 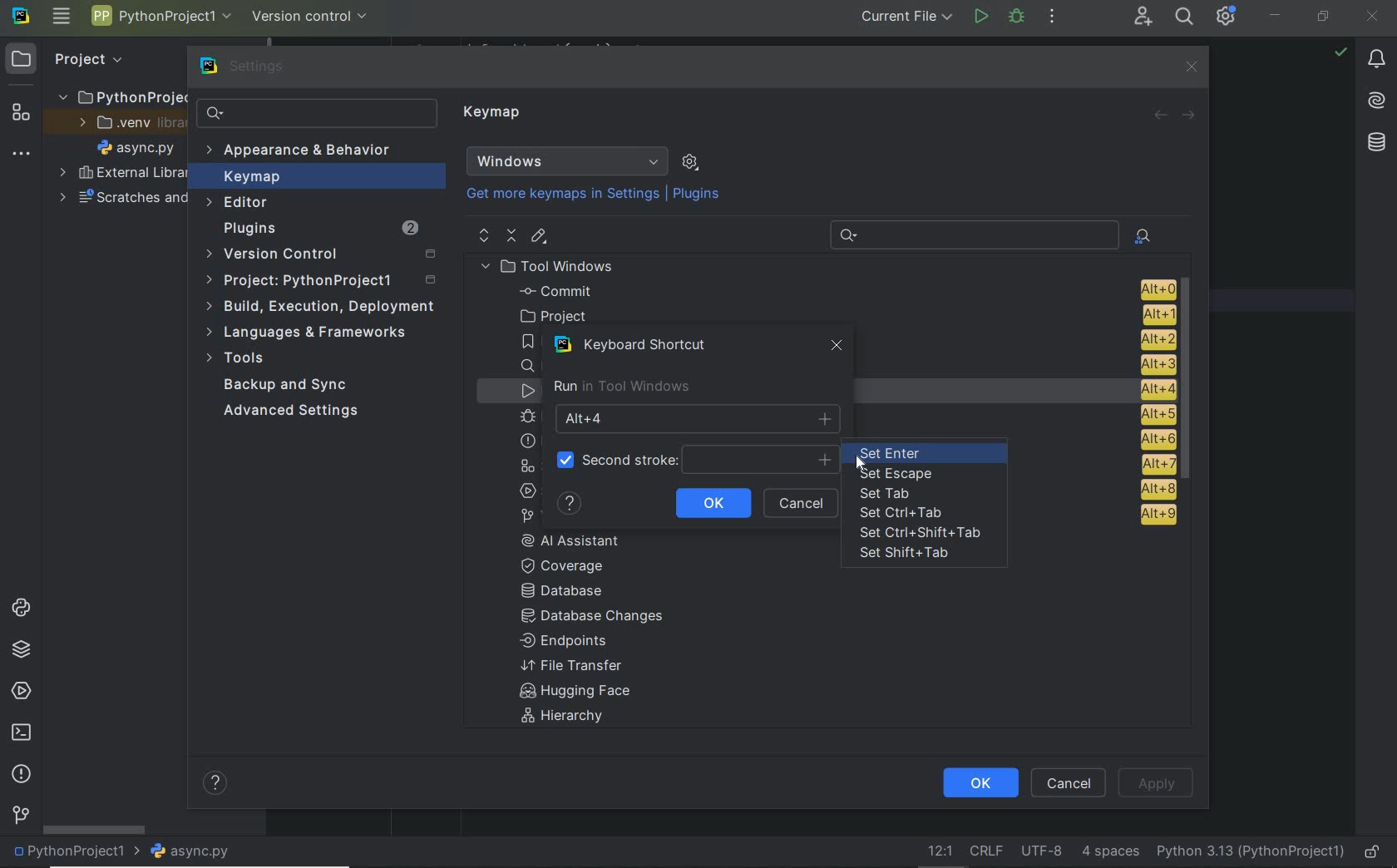 I want to click on File Encoding, so click(x=1043, y=852).